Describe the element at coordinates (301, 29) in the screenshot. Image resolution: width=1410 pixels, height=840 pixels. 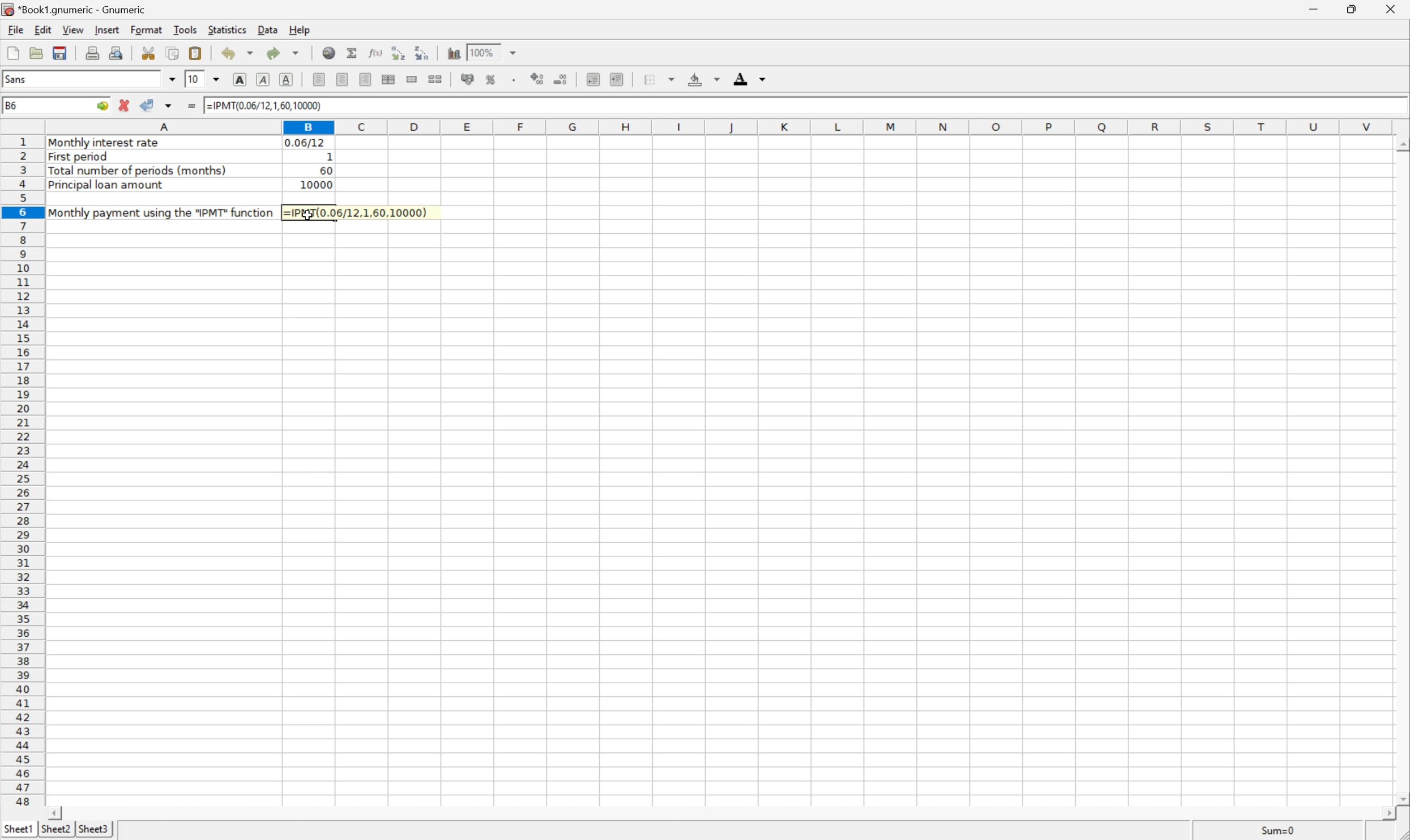
I see `Help` at that location.